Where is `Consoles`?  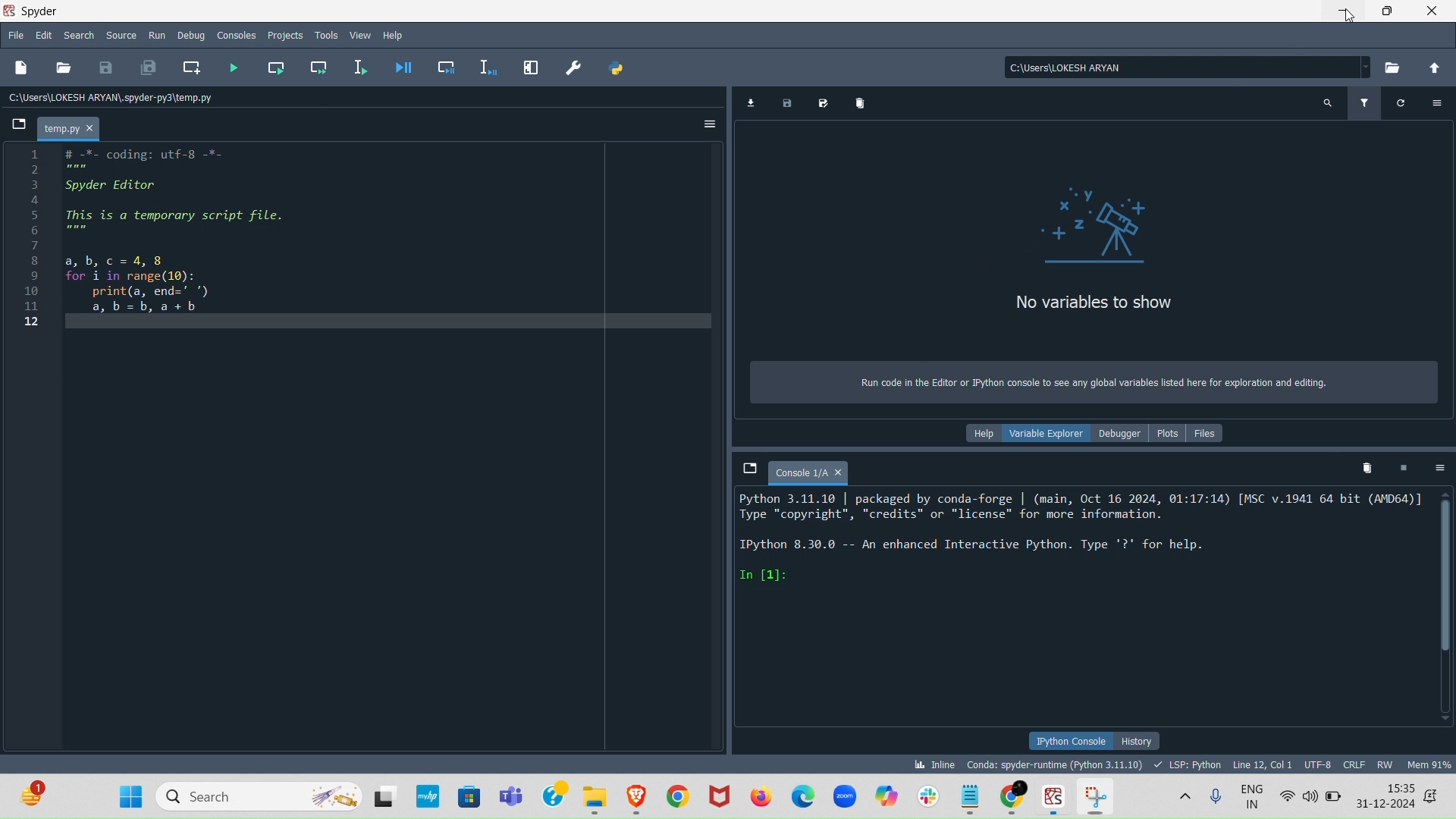 Consoles is located at coordinates (236, 36).